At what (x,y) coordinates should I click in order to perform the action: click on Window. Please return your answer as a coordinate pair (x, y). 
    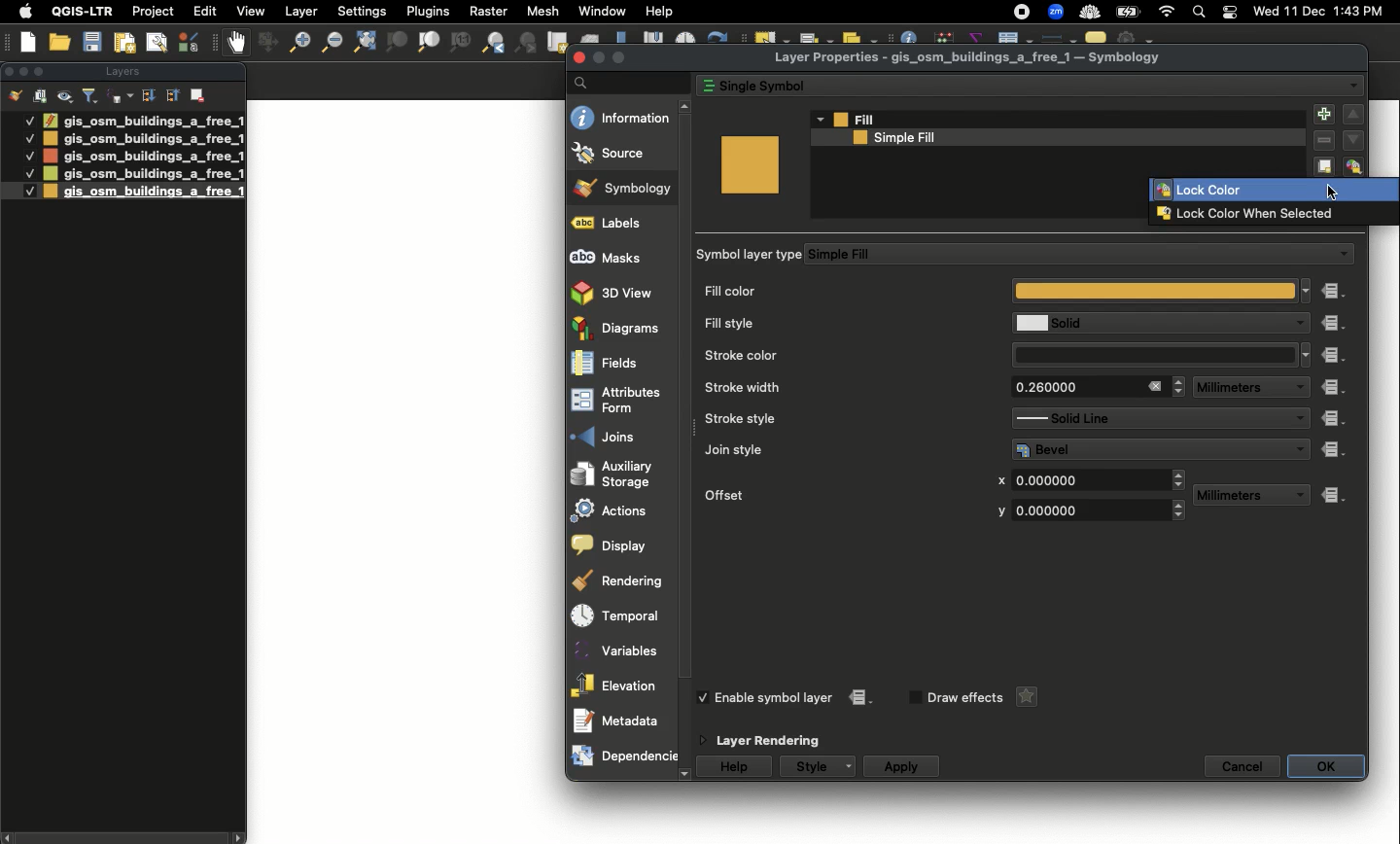
    Looking at the image, I should click on (602, 11).